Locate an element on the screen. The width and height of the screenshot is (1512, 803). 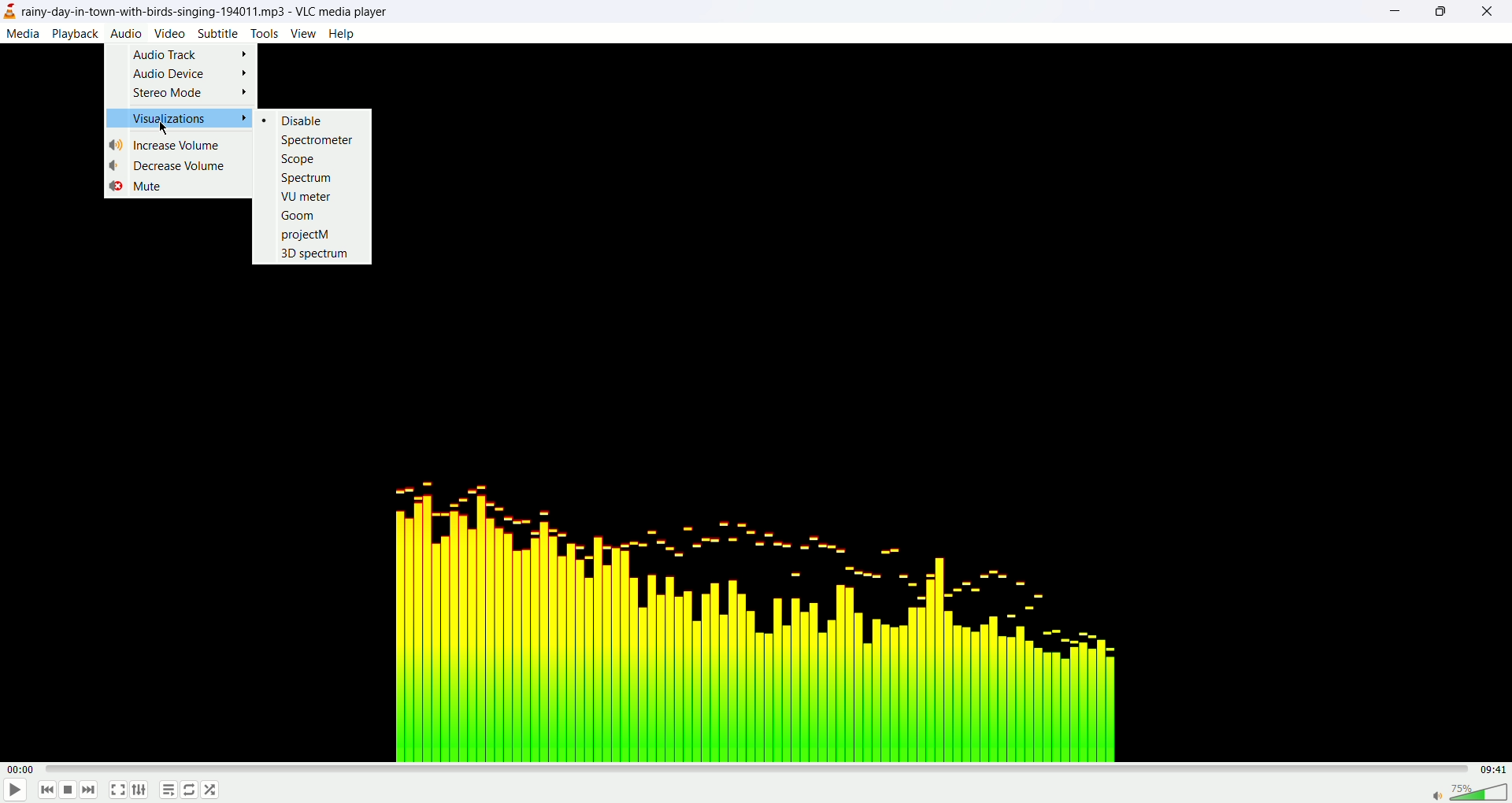
maximize is located at coordinates (1443, 13).